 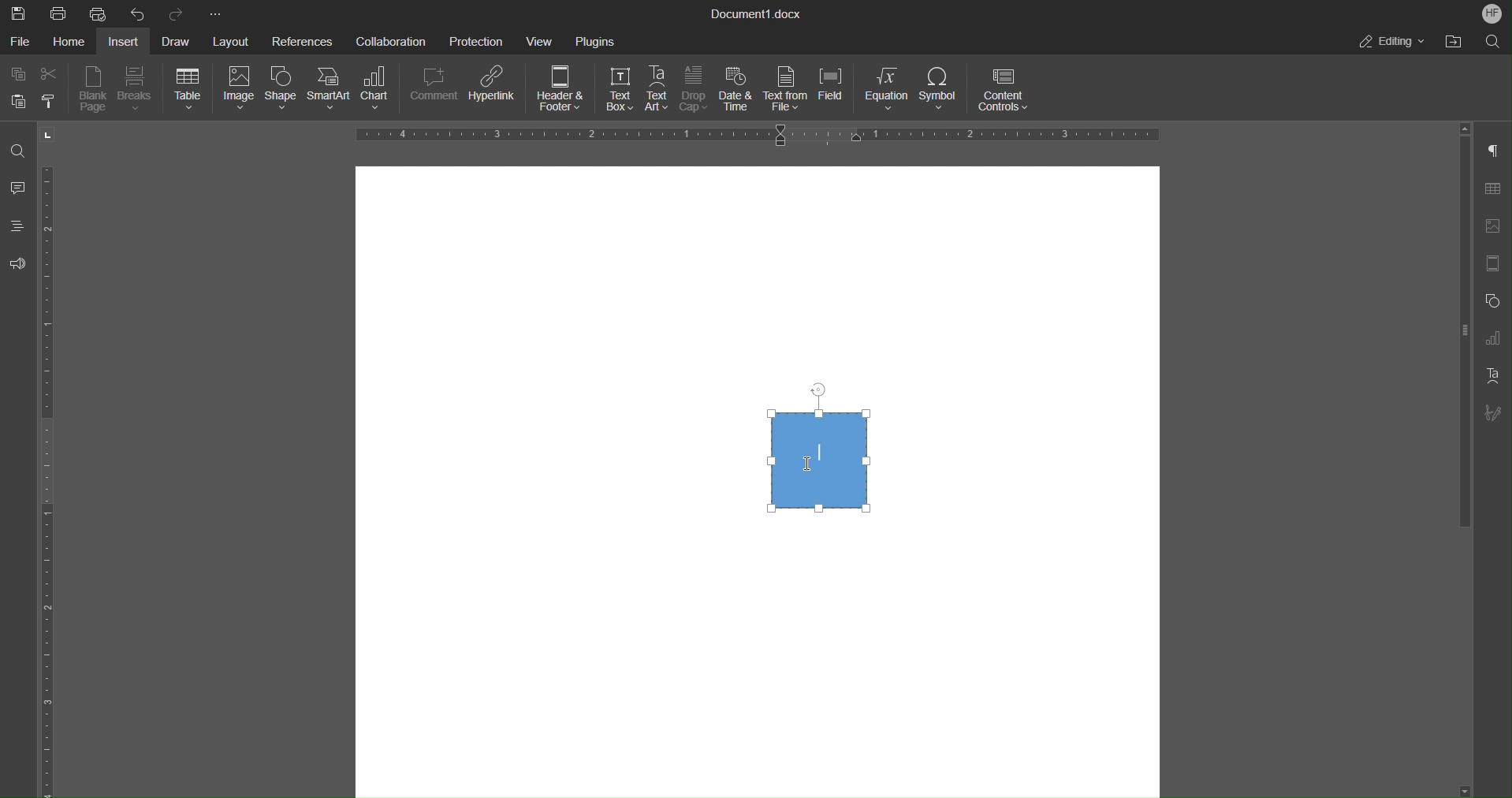 I want to click on Comments, so click(x=19, y=189).